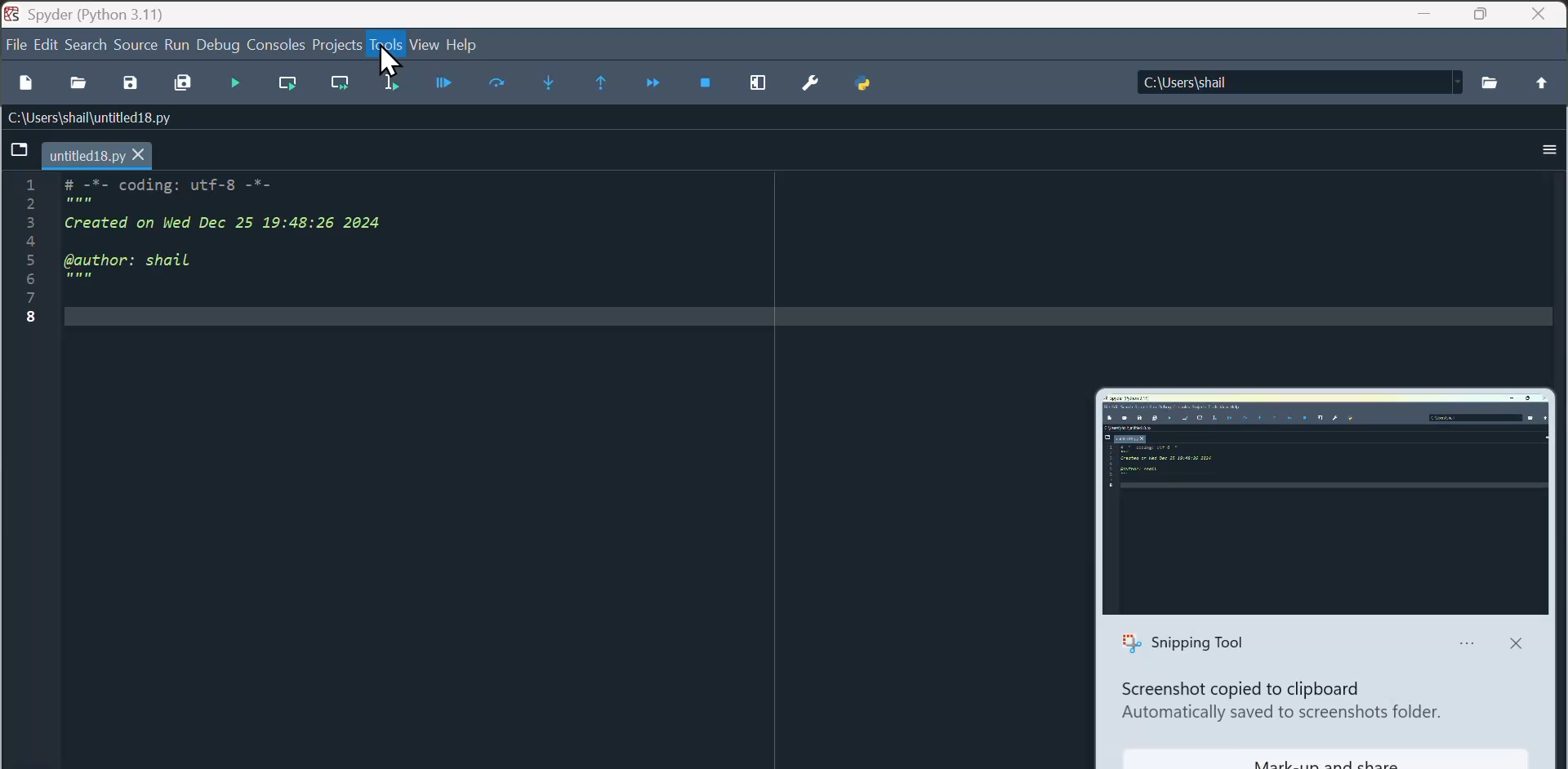  What do you see at coordinates (866, 87) in the screenshot?
I see `Python path manager` at bounding box center [866, 87].